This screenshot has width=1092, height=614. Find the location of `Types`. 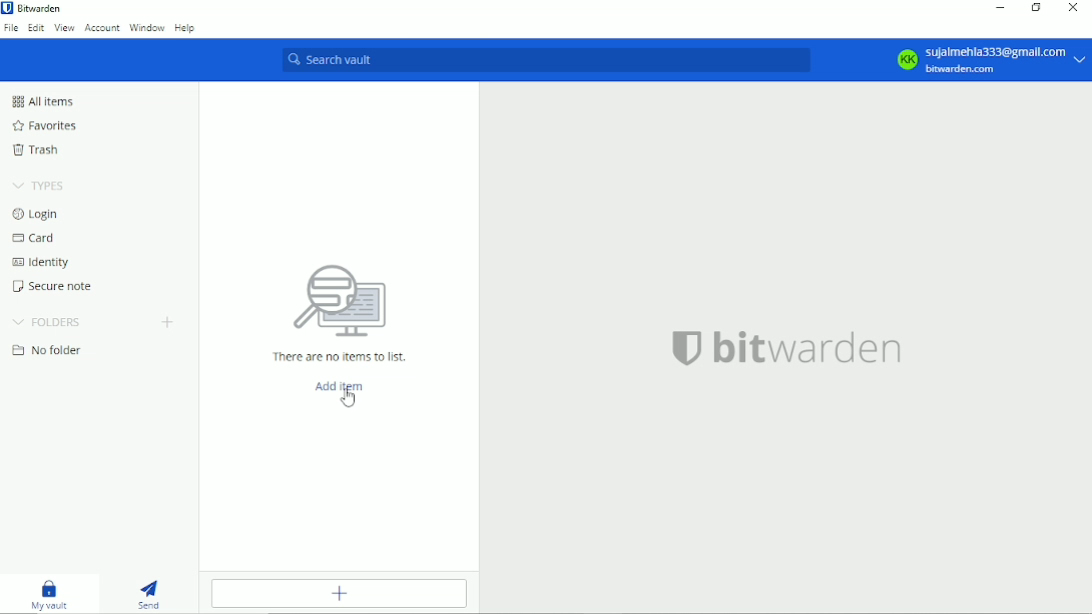

Types is located at coordinates (41, 185).